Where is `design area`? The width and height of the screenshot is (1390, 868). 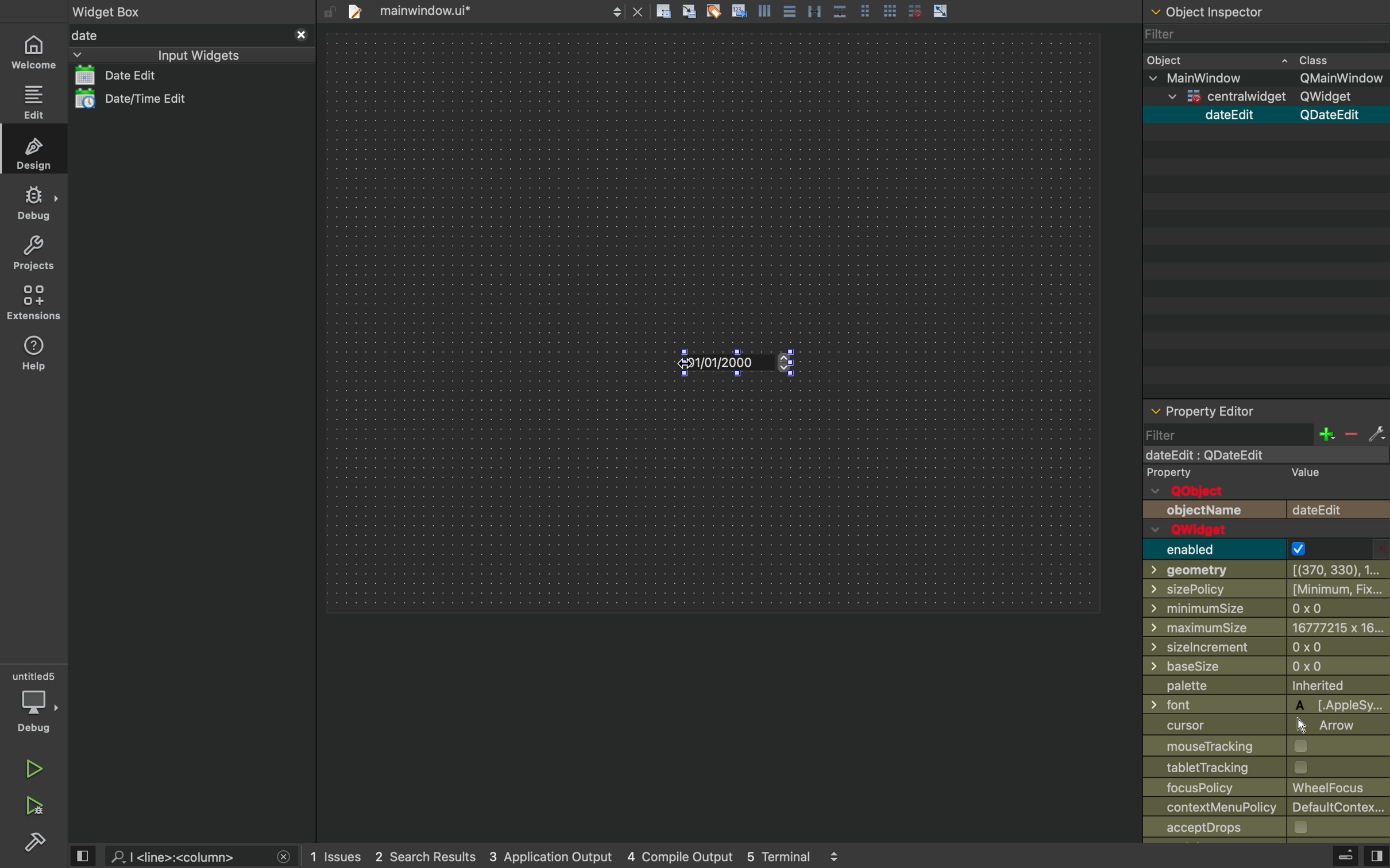
design area is located at coordinates (712, 321).